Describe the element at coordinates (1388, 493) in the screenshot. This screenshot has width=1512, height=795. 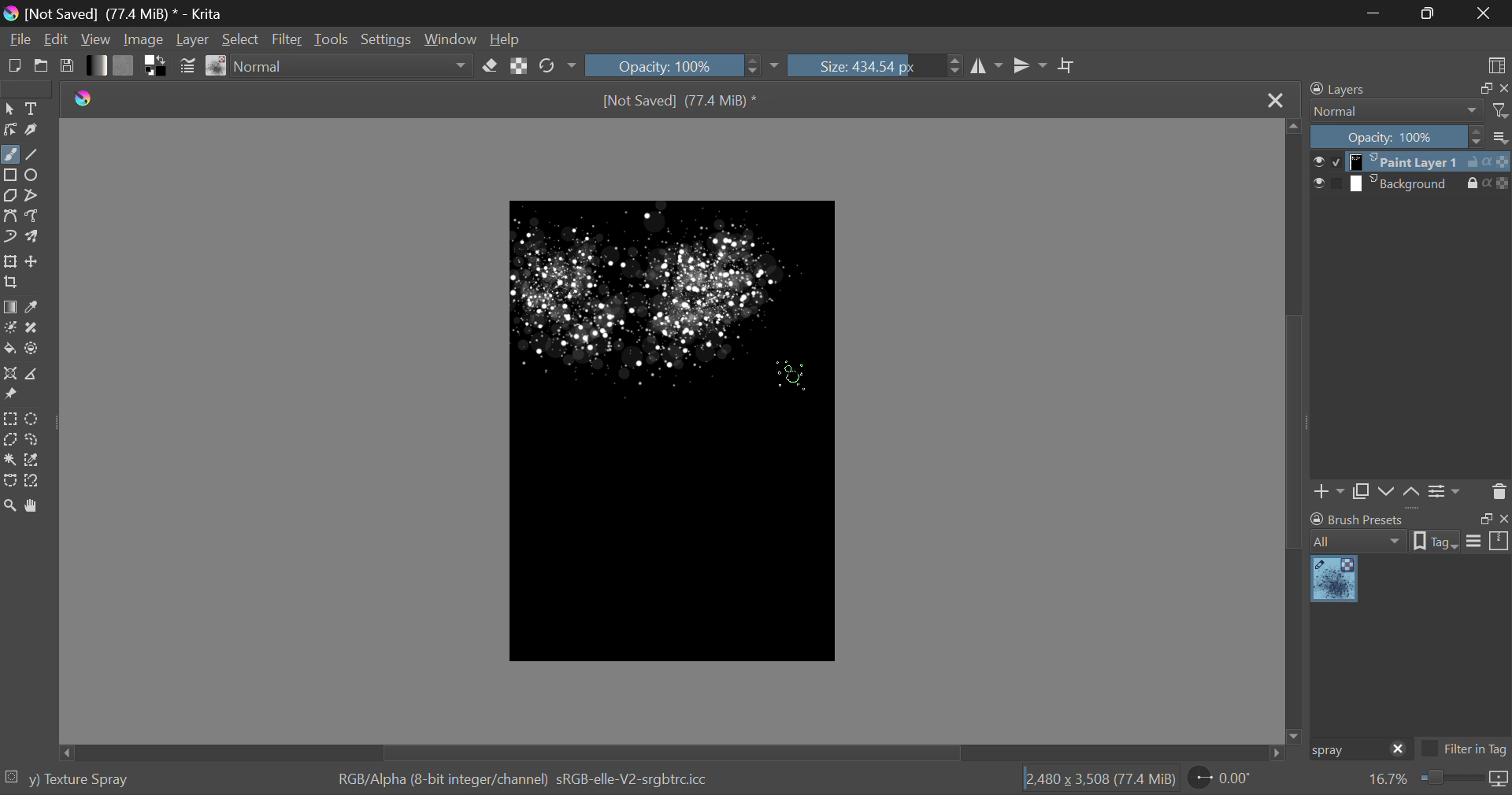
I see `Layer Movement down` at that location.